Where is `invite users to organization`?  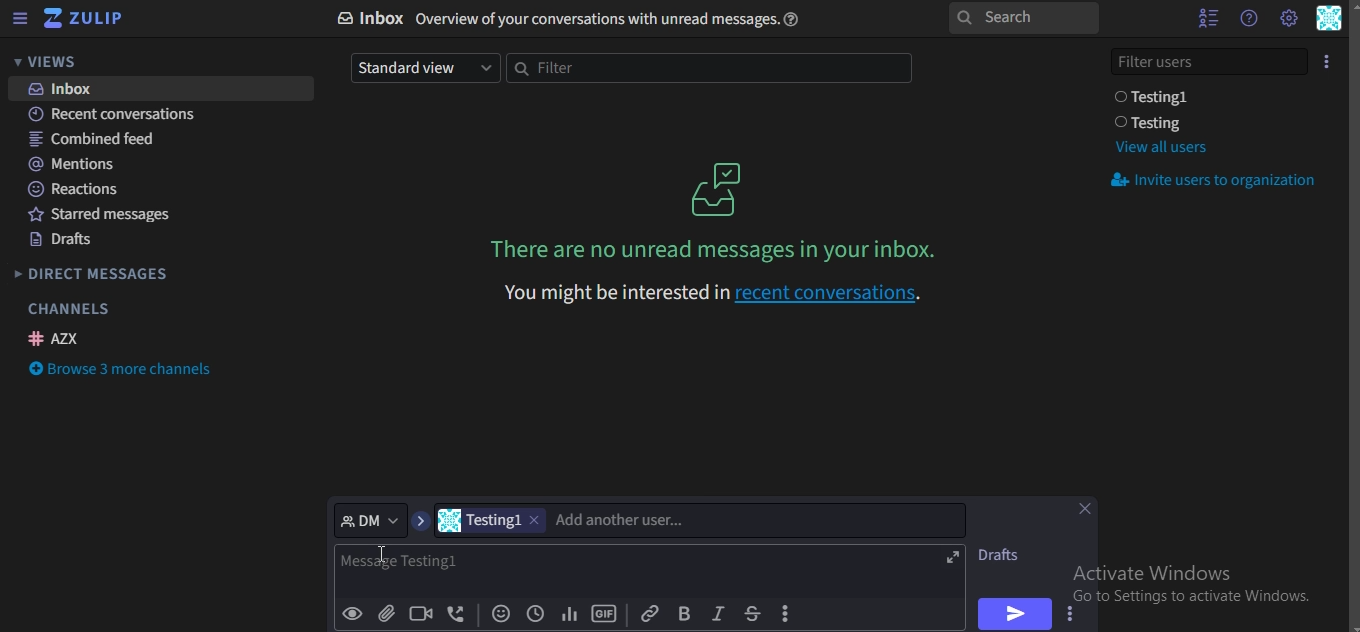
invite users to organization is located at coordinates (1217, 182).